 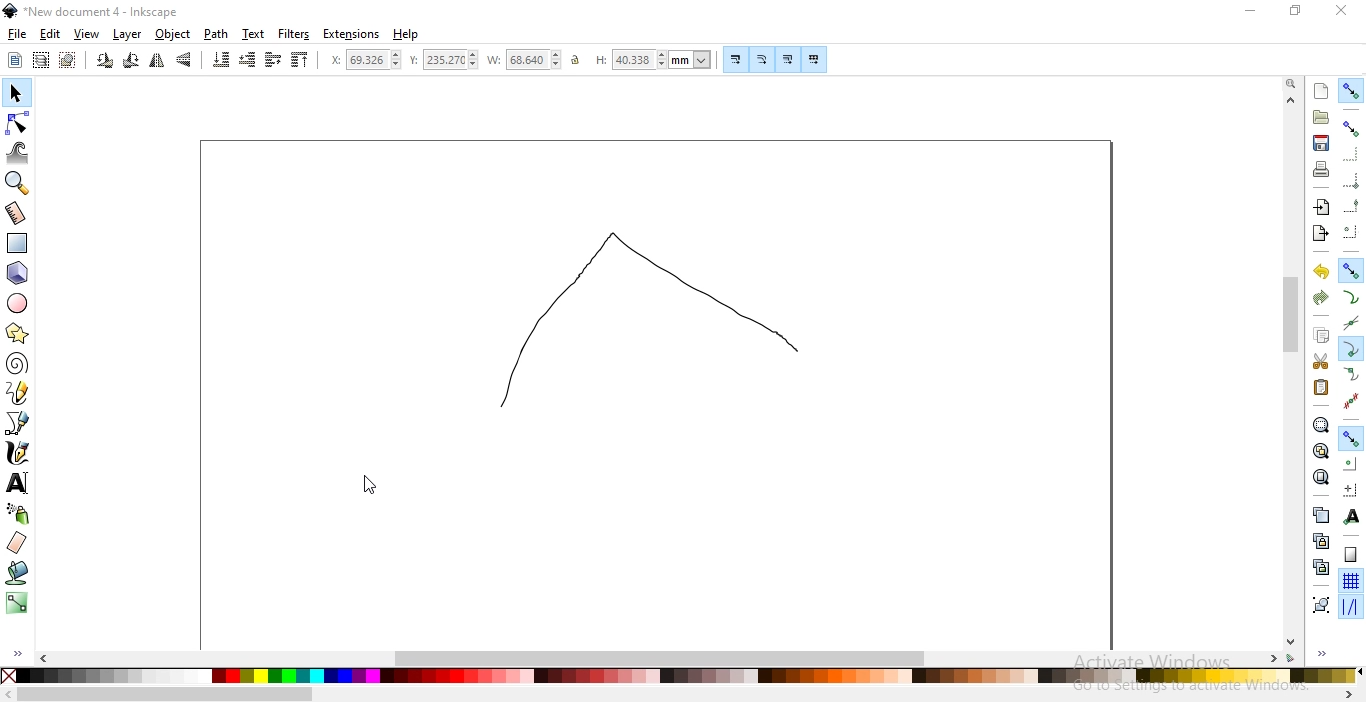 What do you see at coordinates (19, 513) in the screenshot?
I see `spray objects by scuplting or painting` at bounding box center [19, 513].